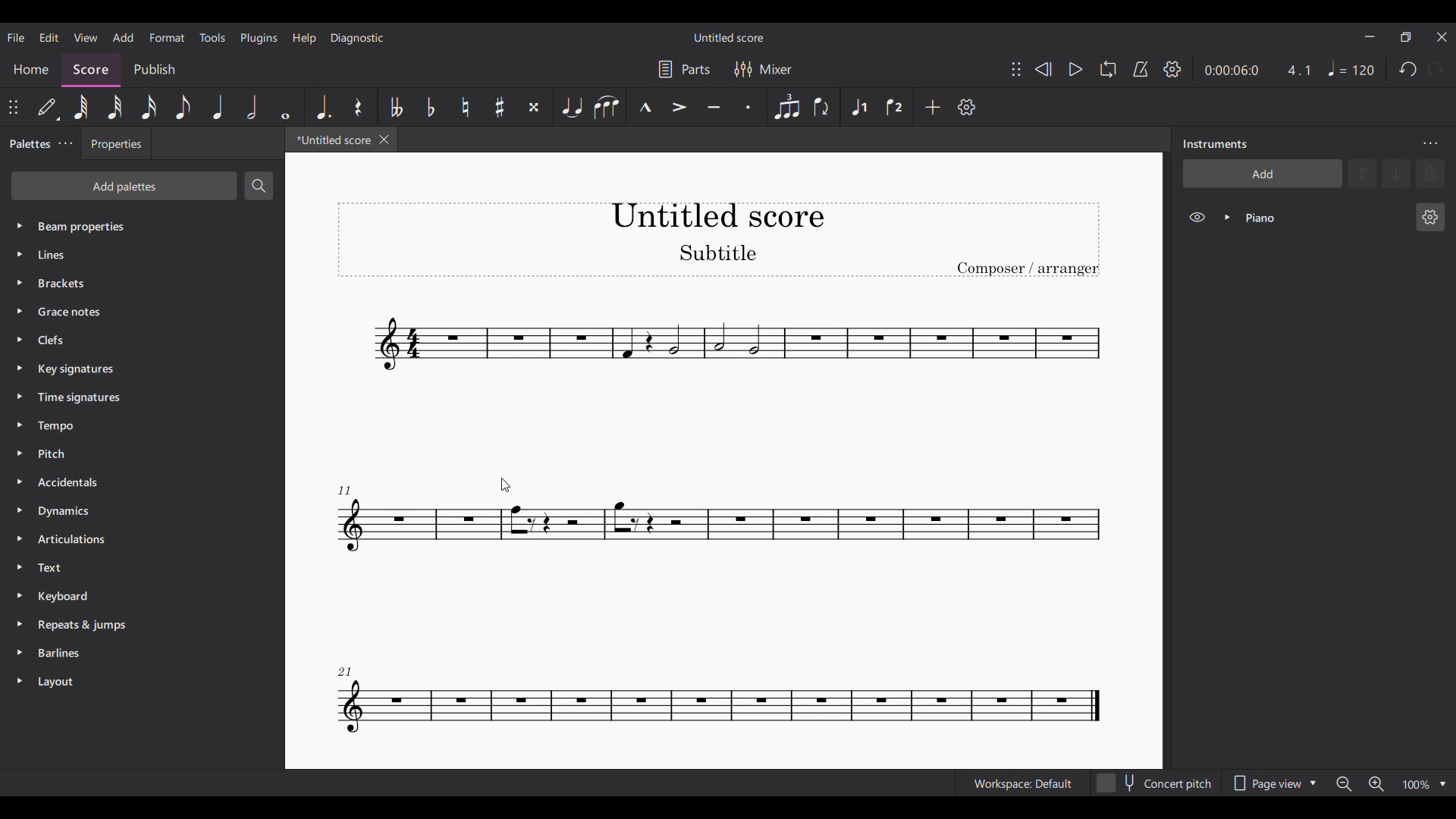 This screenshot has height=819, width=1456. Describe the element at coordinates (127, 483) in the screenshot. I see `Accidentals` at that location.